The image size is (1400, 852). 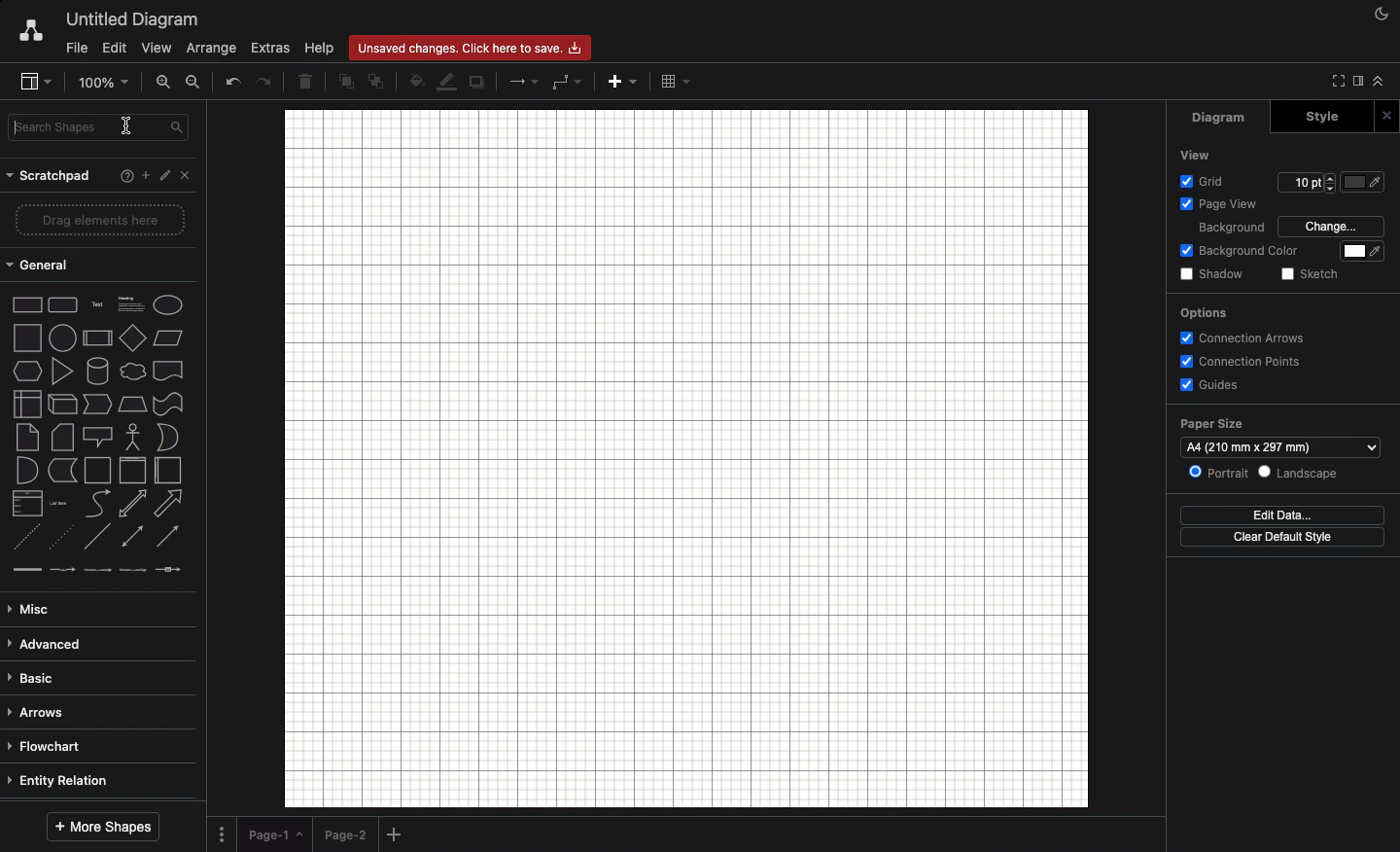 I want to click on Style, so click(x=1317, y=115).